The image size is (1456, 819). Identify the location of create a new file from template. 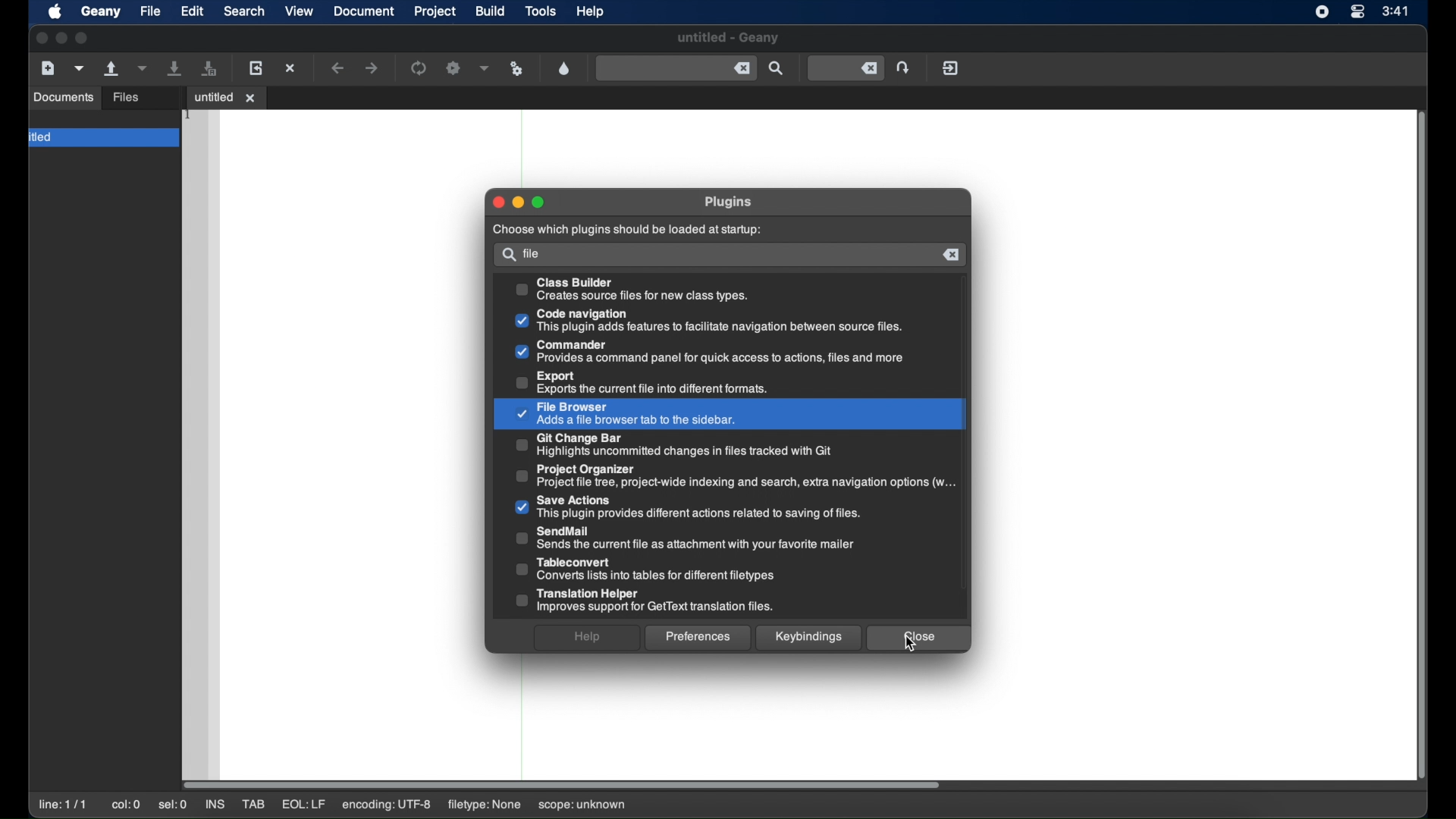
(80, 69).